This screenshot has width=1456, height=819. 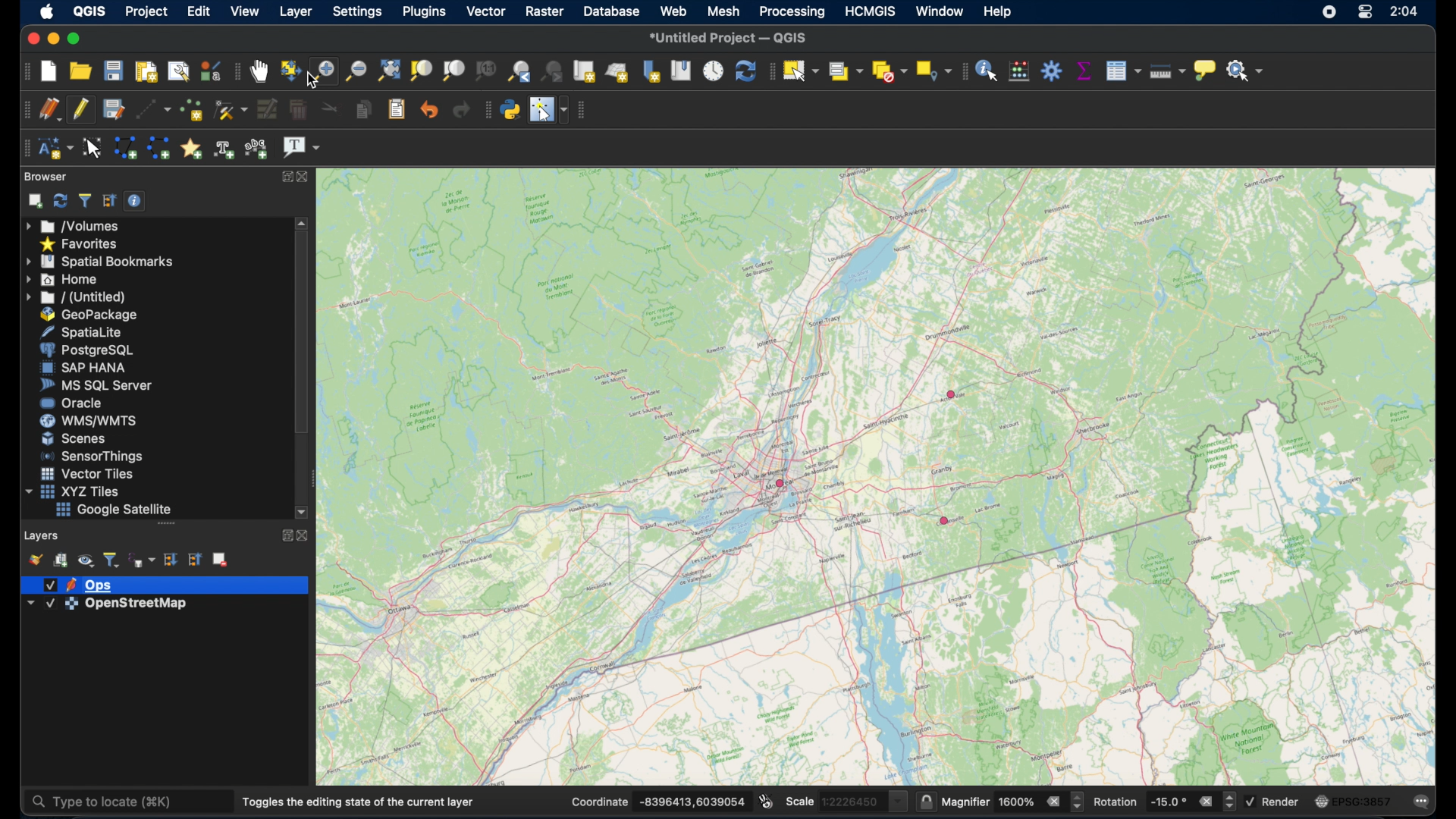 I want to click on plugins, so click(x=424, y=12).